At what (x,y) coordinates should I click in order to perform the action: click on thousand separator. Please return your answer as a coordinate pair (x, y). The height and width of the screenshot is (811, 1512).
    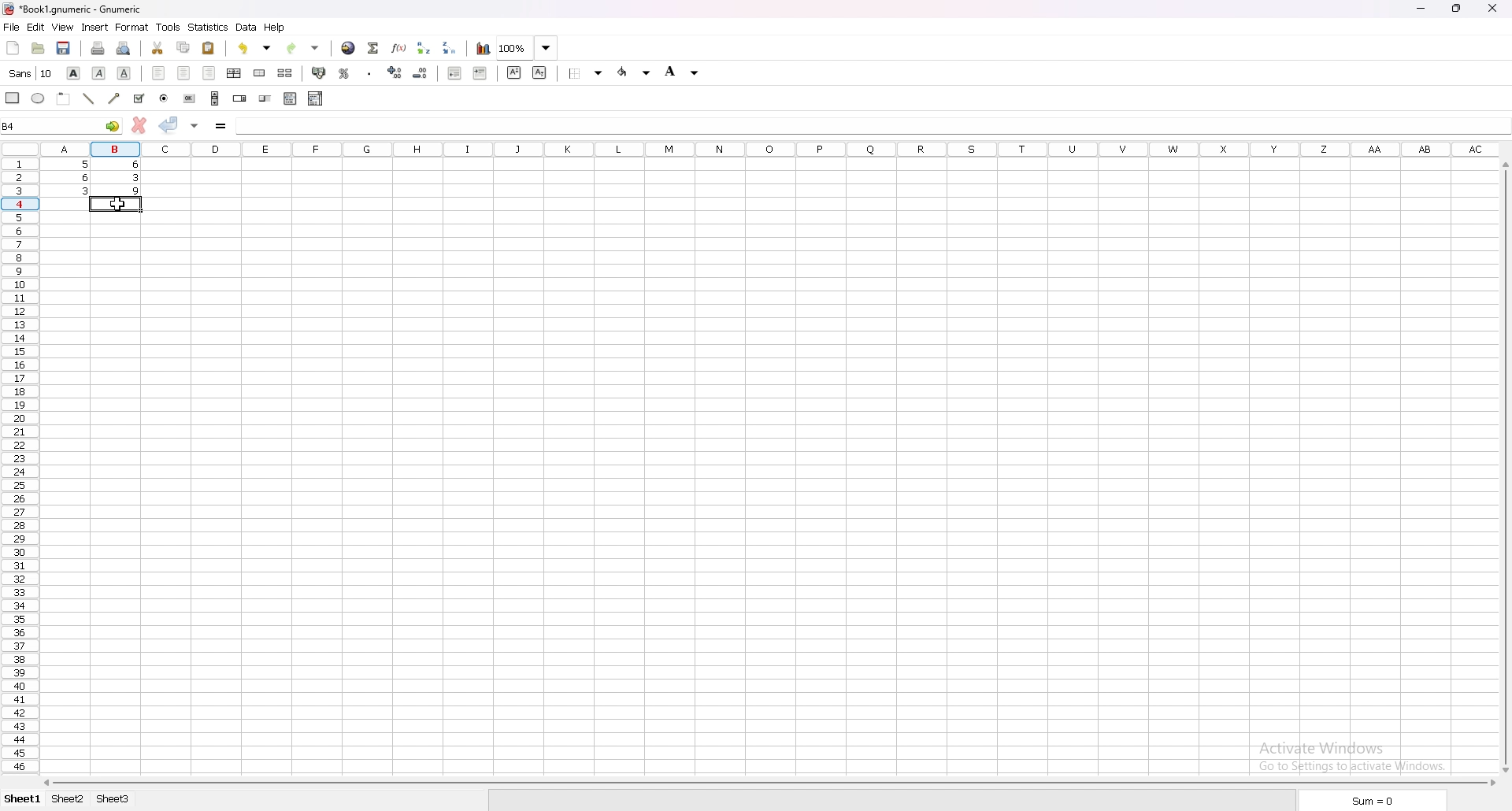
    Looking at the image, I should click on (370, 72).